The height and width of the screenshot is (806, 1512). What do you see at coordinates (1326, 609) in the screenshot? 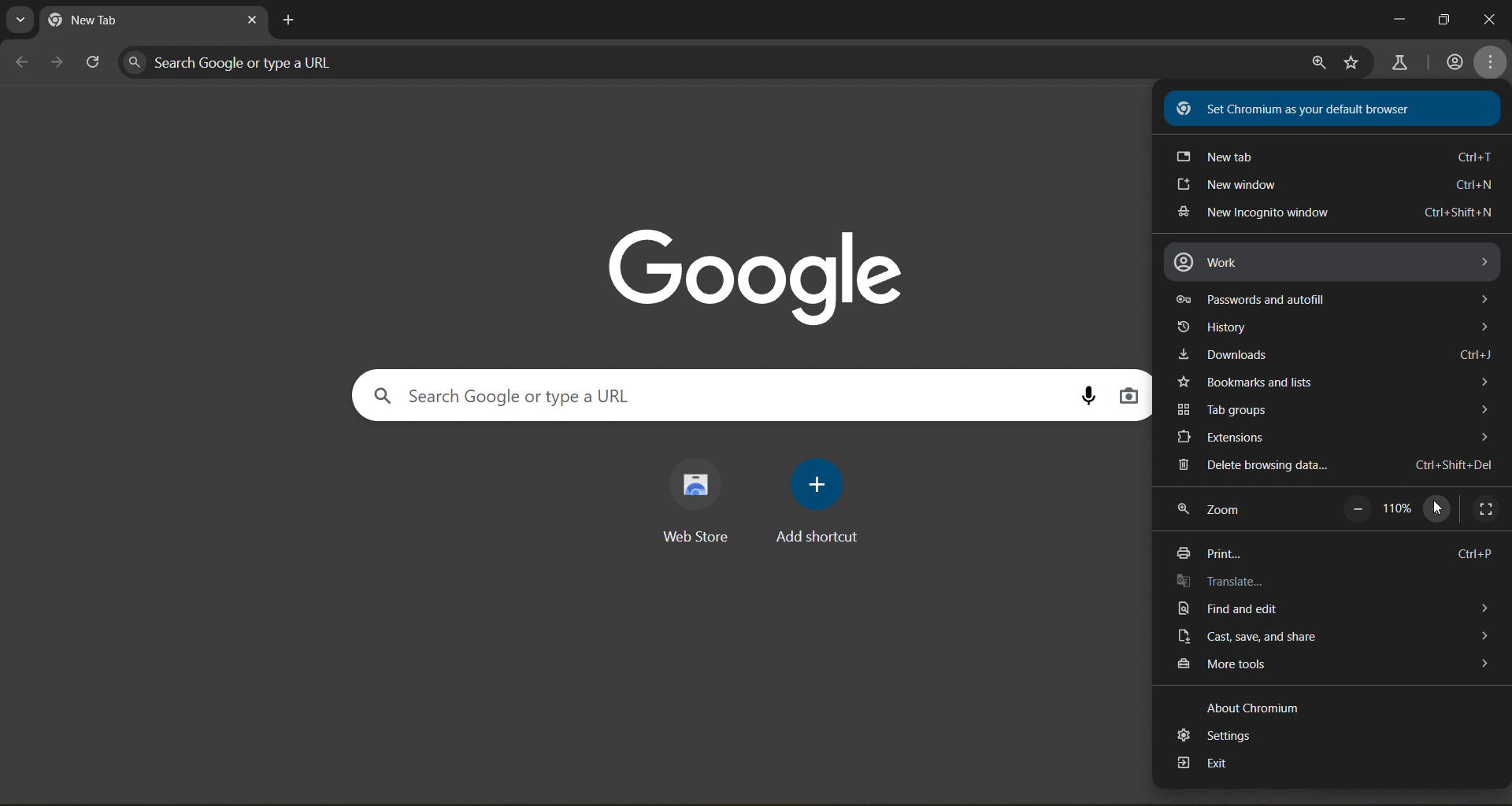
I see `find and edit` at bounding box center [1326, 609].